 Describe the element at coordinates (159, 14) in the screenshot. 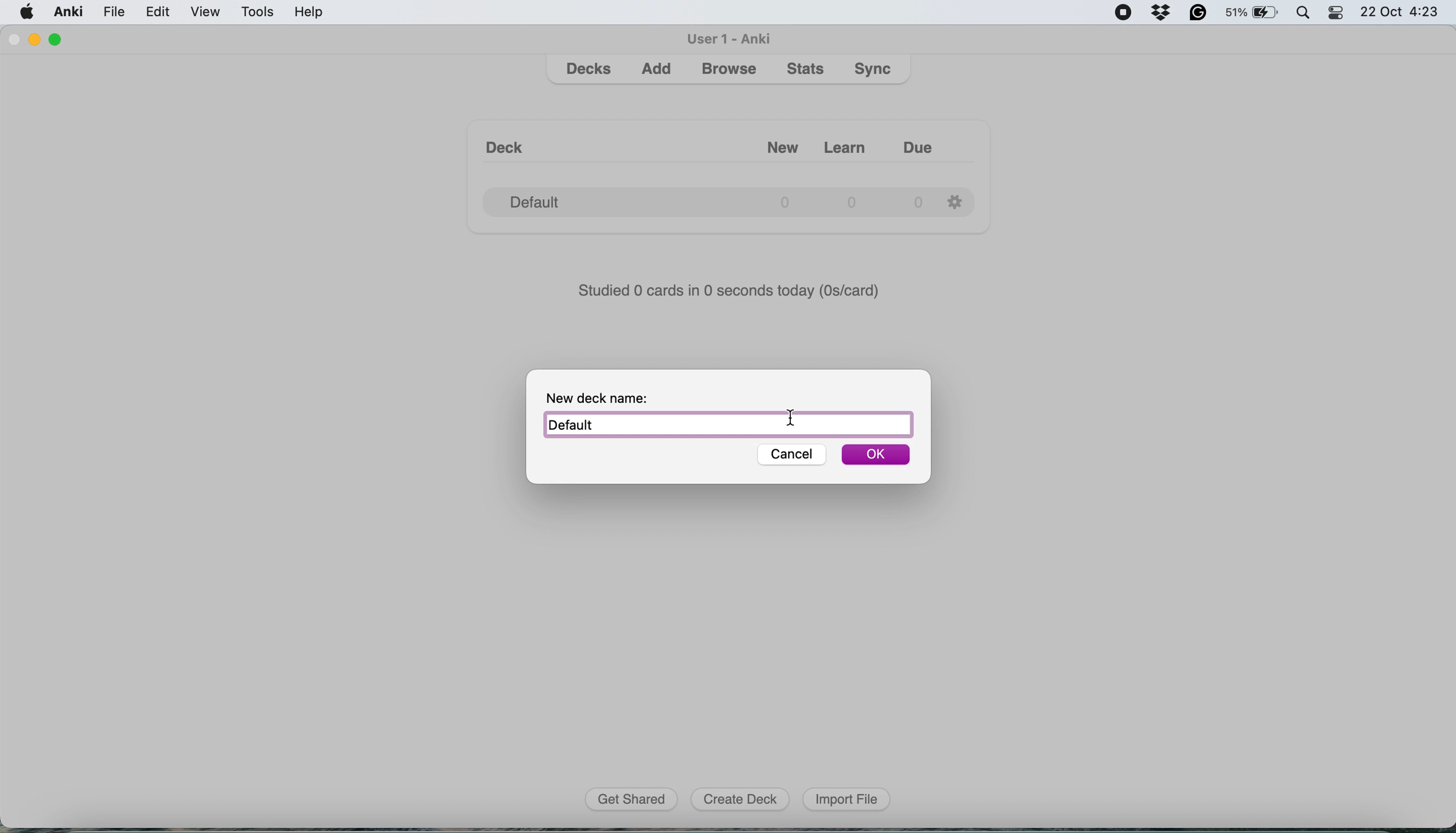

I see `edit` at that location.